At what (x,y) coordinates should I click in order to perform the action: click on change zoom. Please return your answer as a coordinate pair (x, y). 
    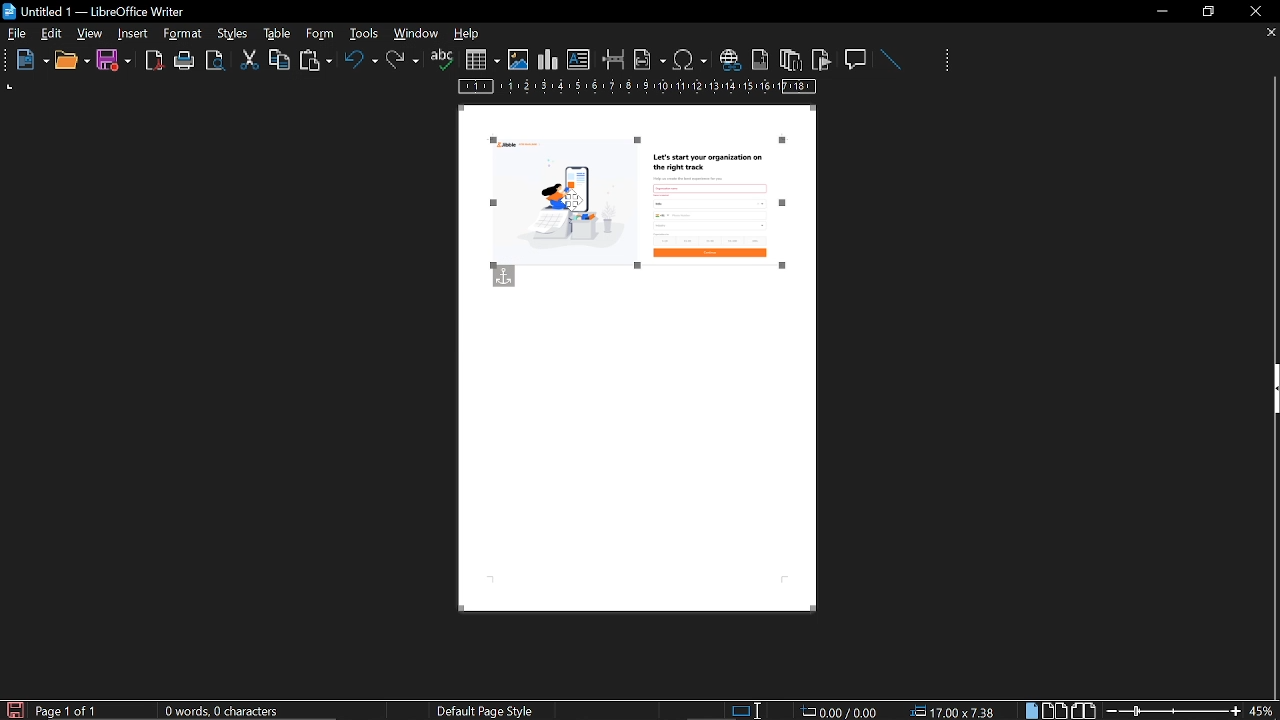
    Looking at the image, I should click on (1173, 710).